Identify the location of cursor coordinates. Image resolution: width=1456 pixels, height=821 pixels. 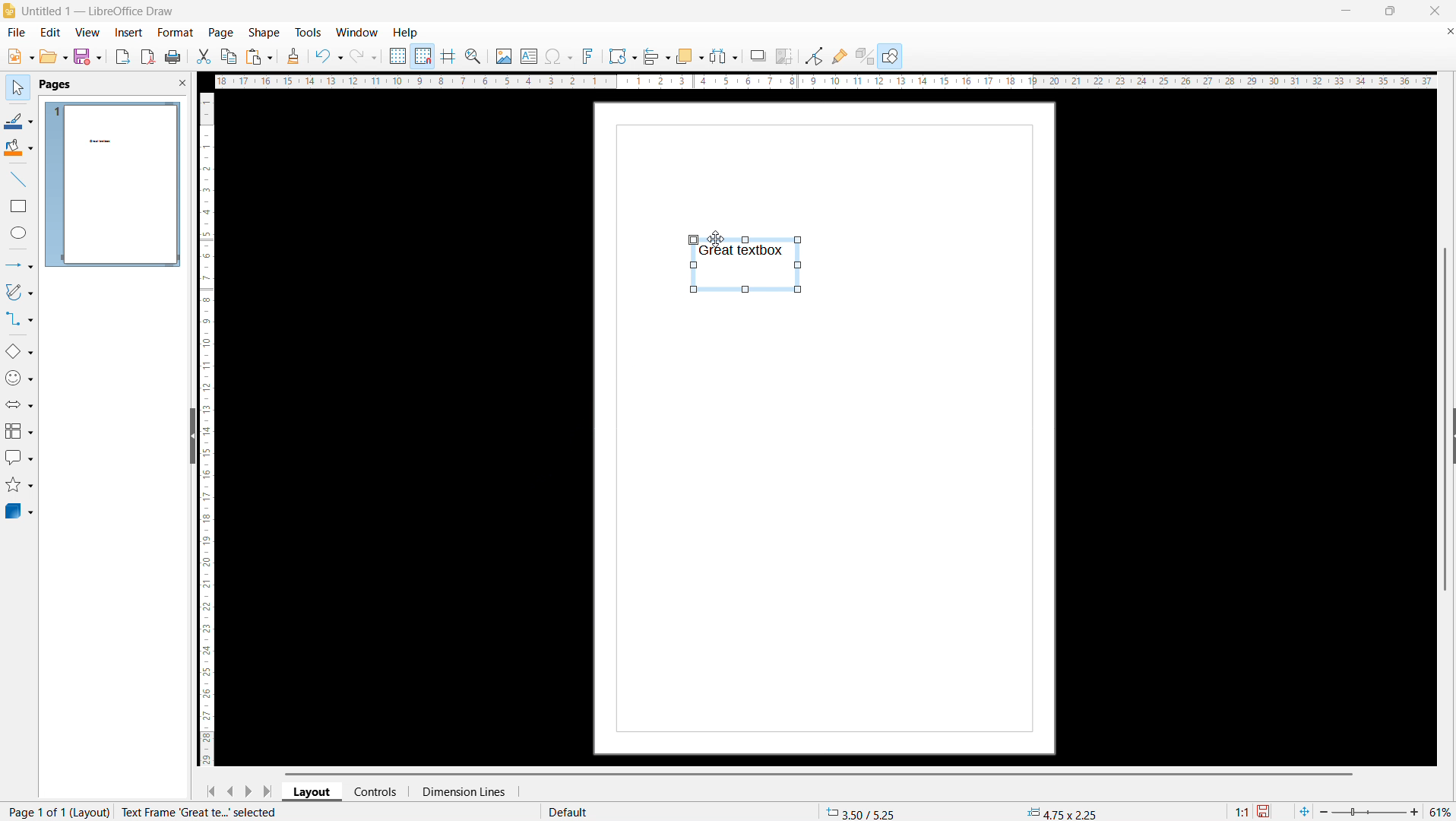
(863, 811).